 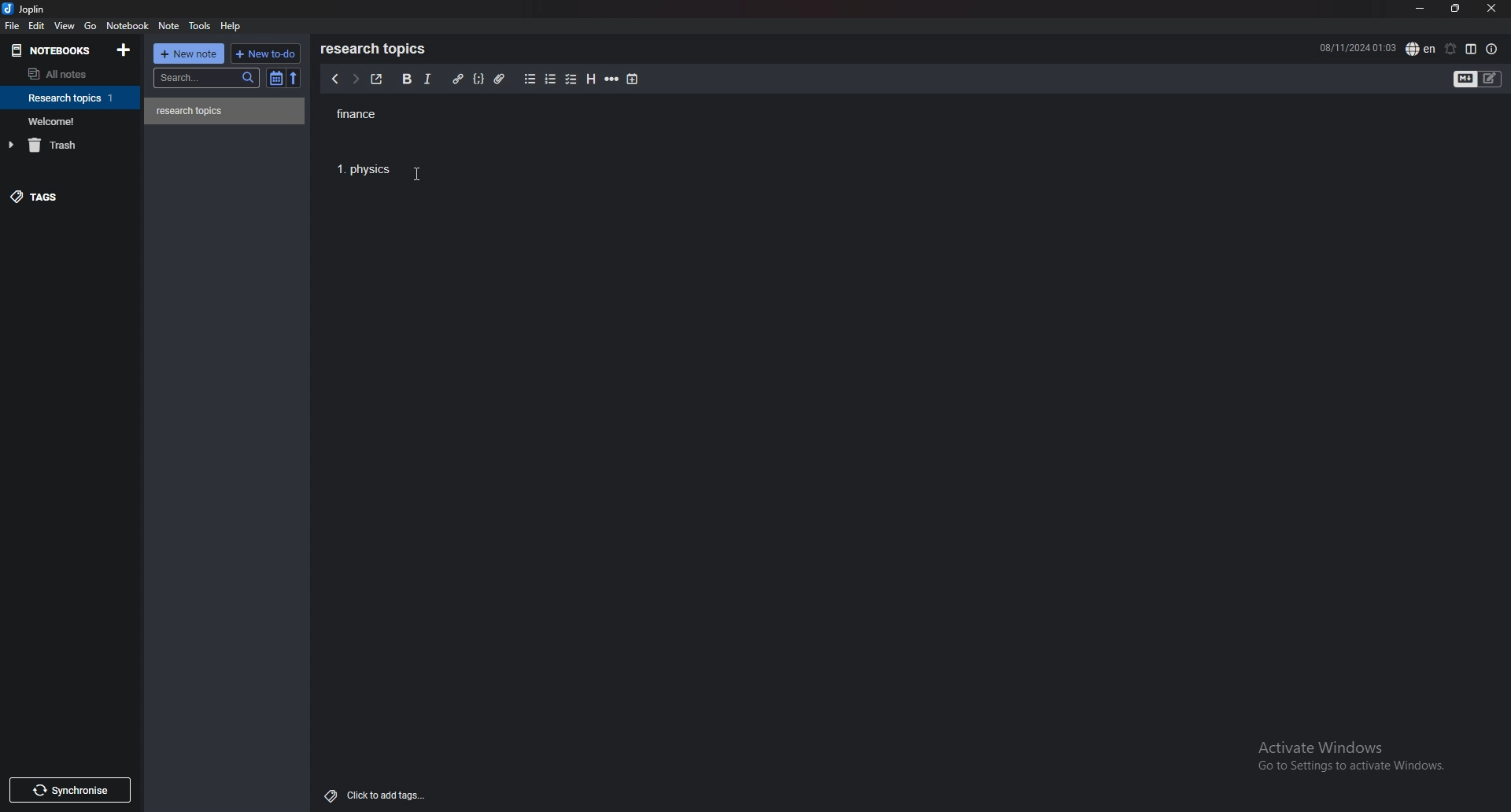 I want to click on heading, so click(x=590, y=79).